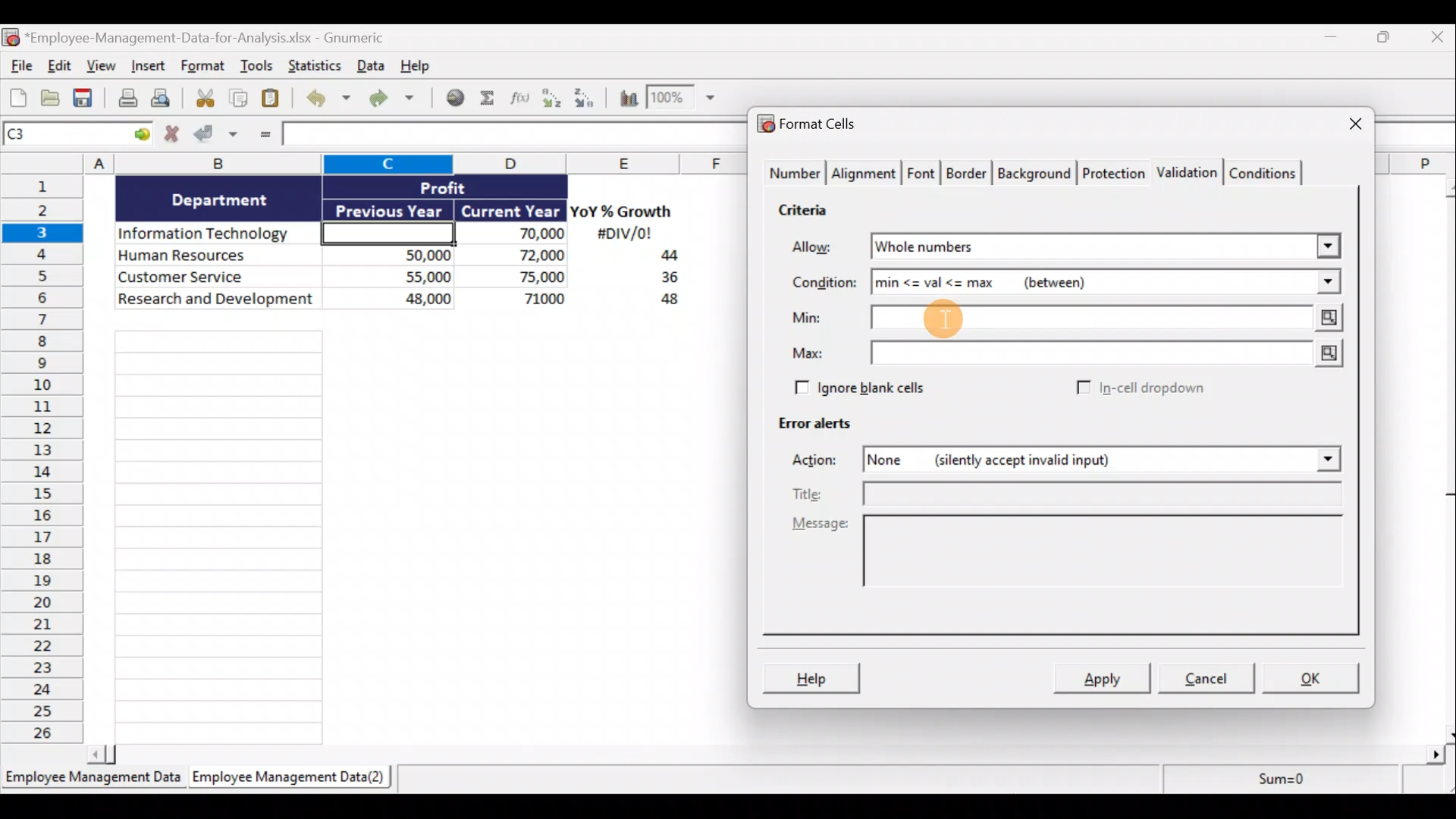 The height and width of the screenshot is (819, 1456). What do you see at coordinates (218, 136) in the screenshot?
I see `Accept changes` at bounding box center [218, 136].